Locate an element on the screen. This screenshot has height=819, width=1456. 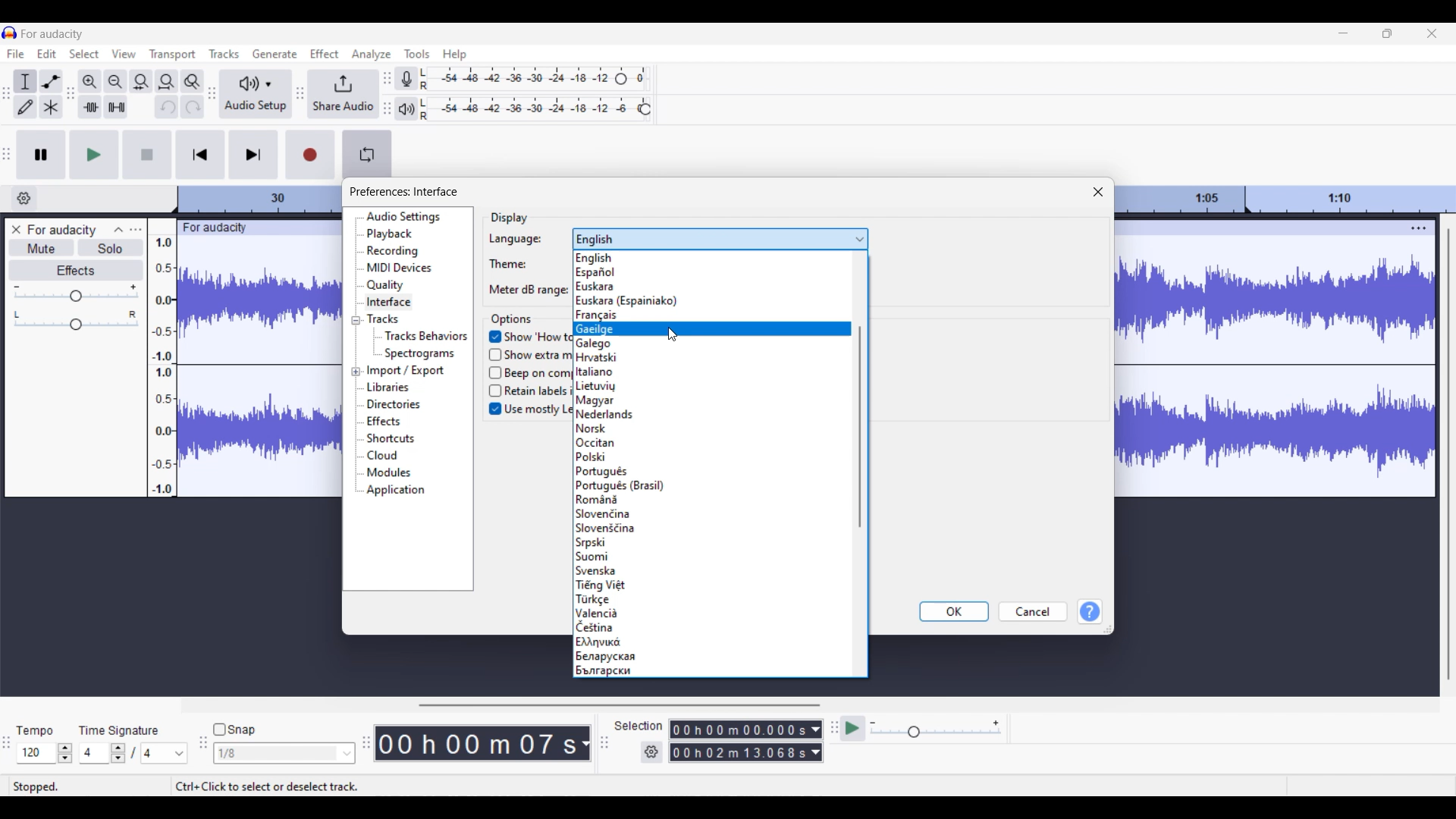
Close is located at coordinates (1099, 192).